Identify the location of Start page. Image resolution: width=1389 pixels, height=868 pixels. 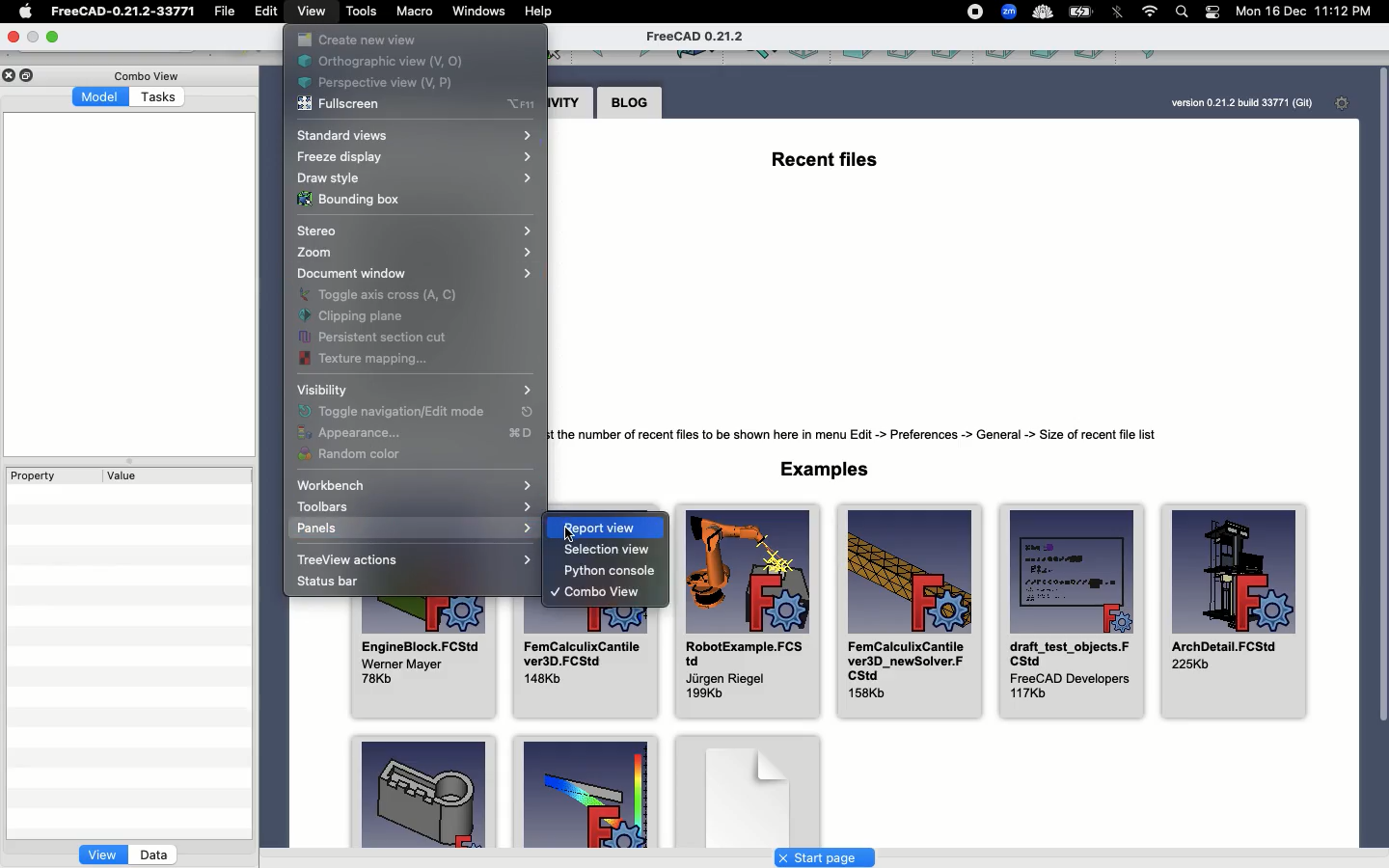
(825, 856).